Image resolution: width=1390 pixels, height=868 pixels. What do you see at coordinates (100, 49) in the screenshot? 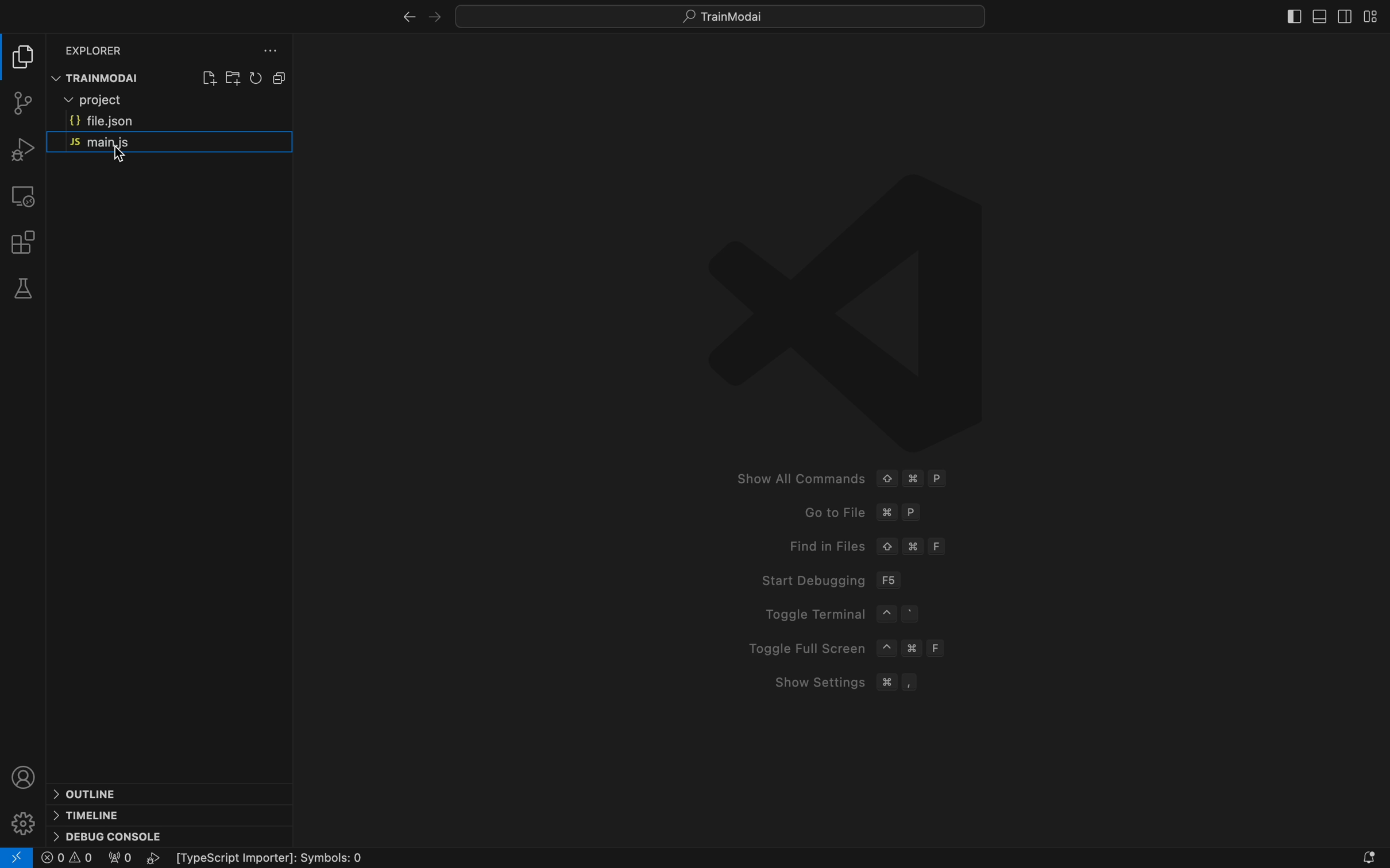
I see `Explorer` at bounding box center [100, 49].